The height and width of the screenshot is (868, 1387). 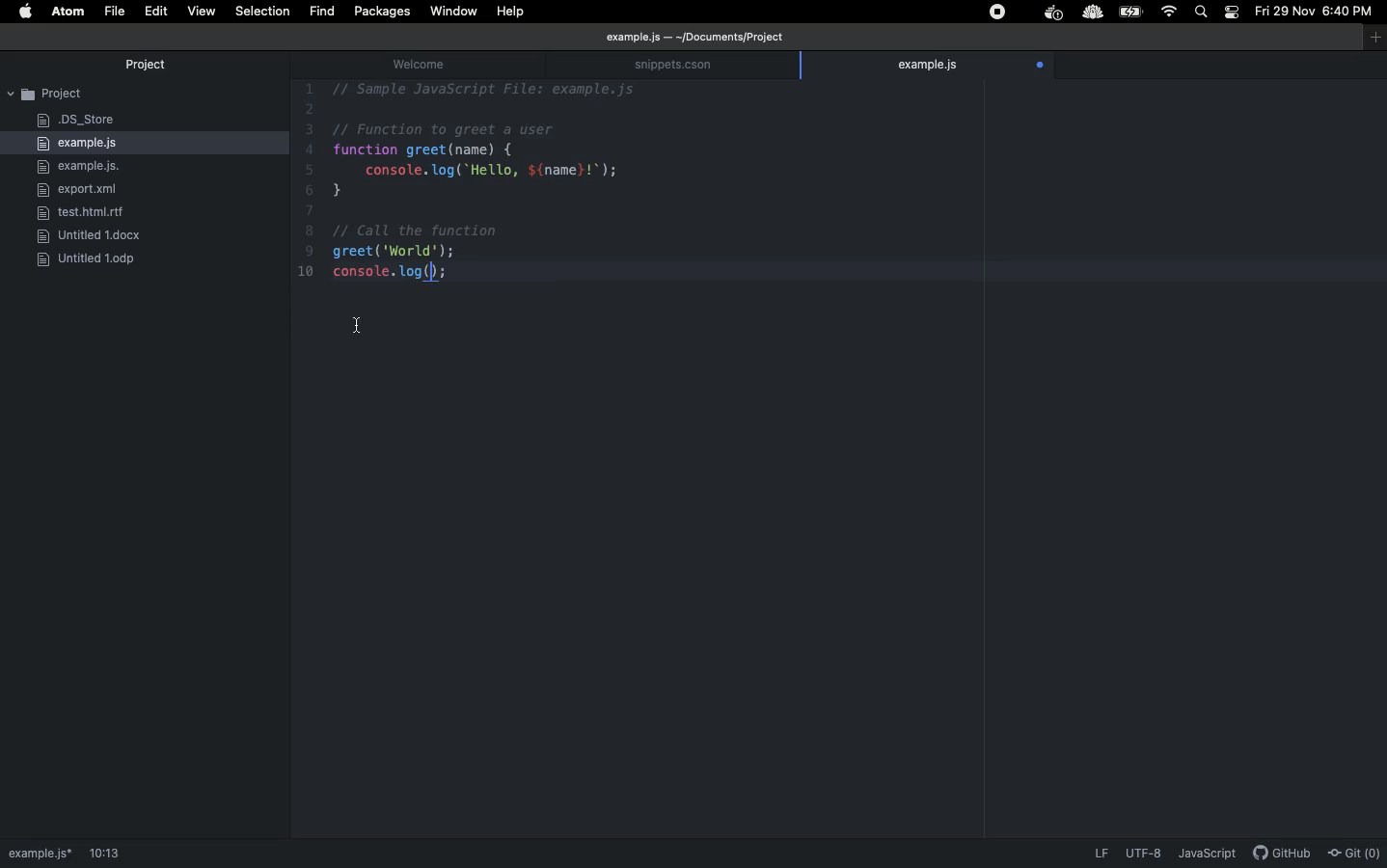 I want to click on Window, so click(x=457, y=12).